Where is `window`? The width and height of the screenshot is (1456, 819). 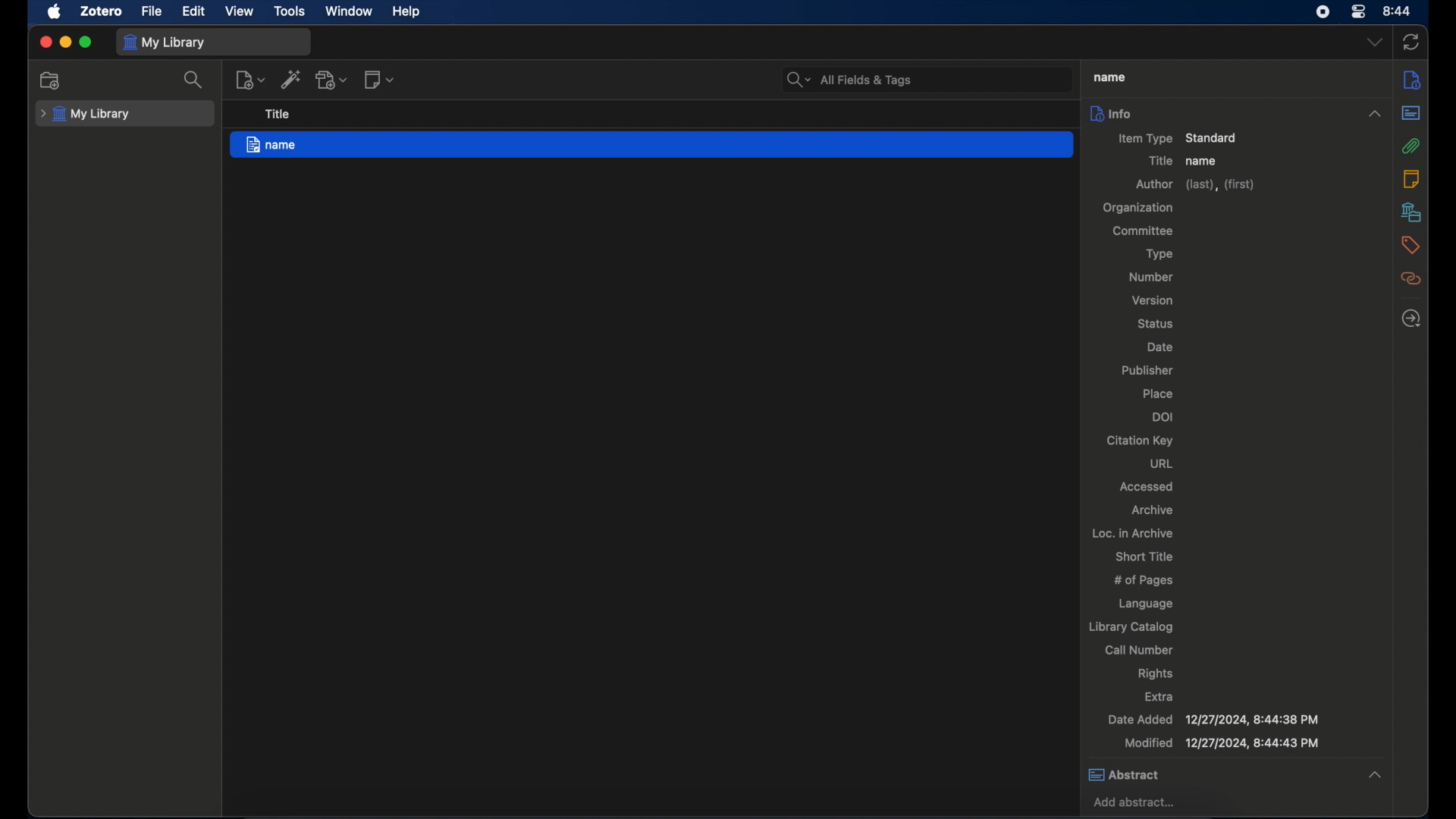 window is located at coordinates (347, 11).